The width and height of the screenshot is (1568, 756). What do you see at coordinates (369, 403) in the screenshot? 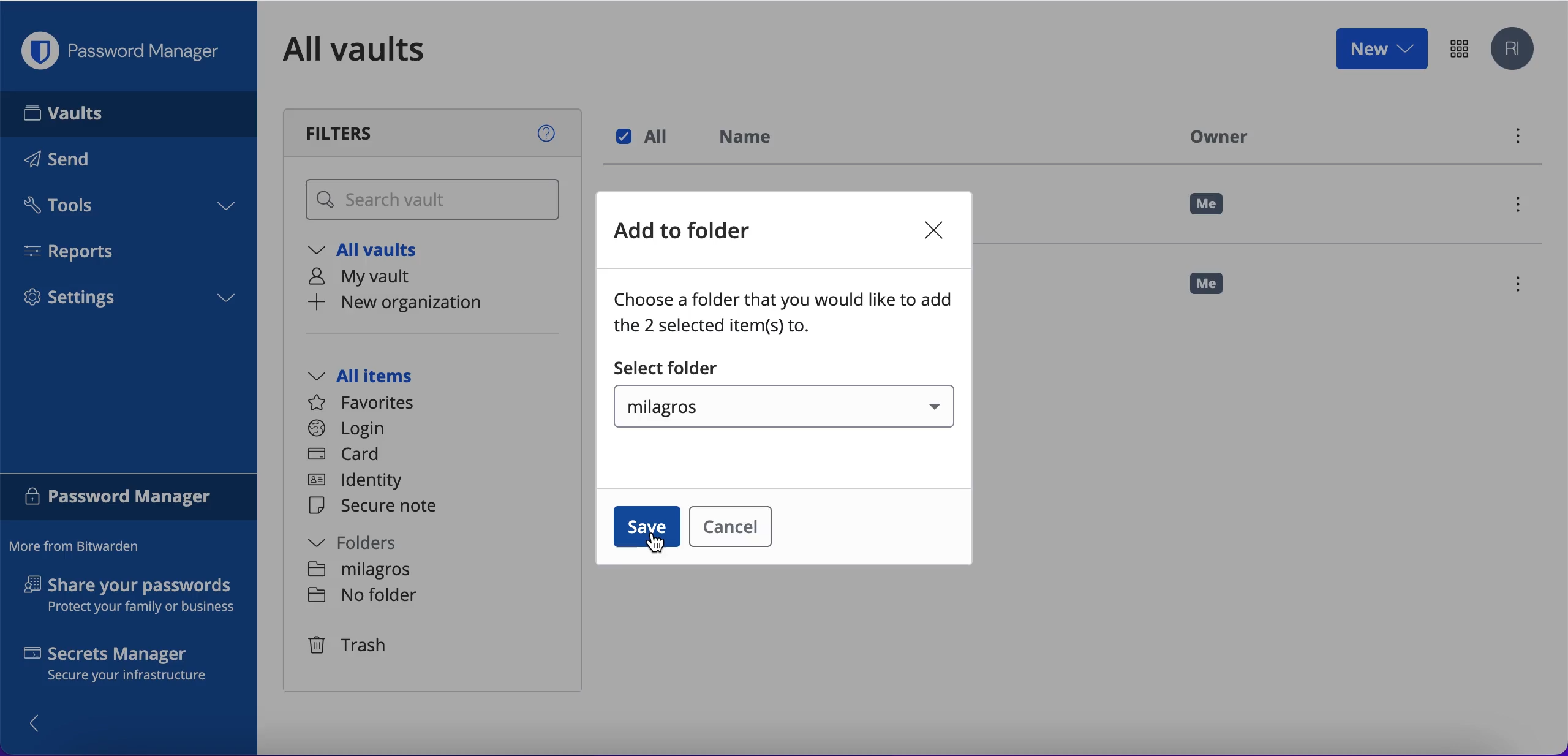
I see `favorites` at bounding box center [369, 403].